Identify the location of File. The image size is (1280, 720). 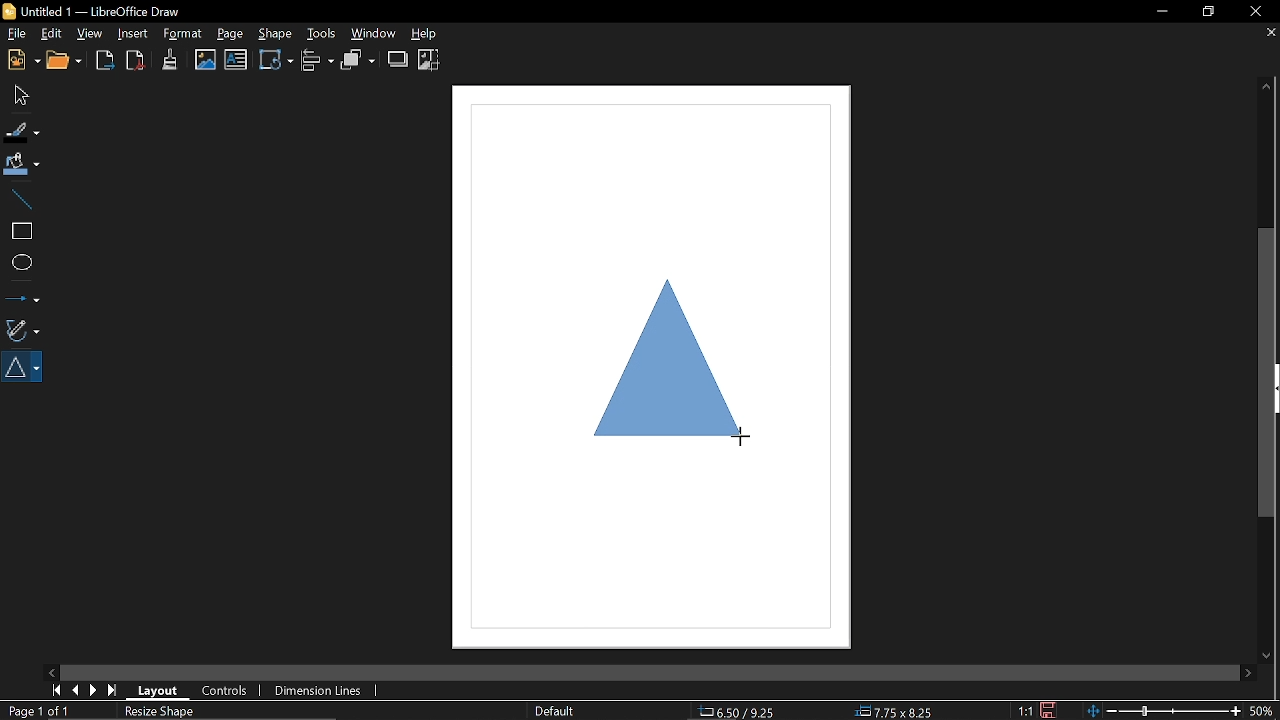
(16, 33).